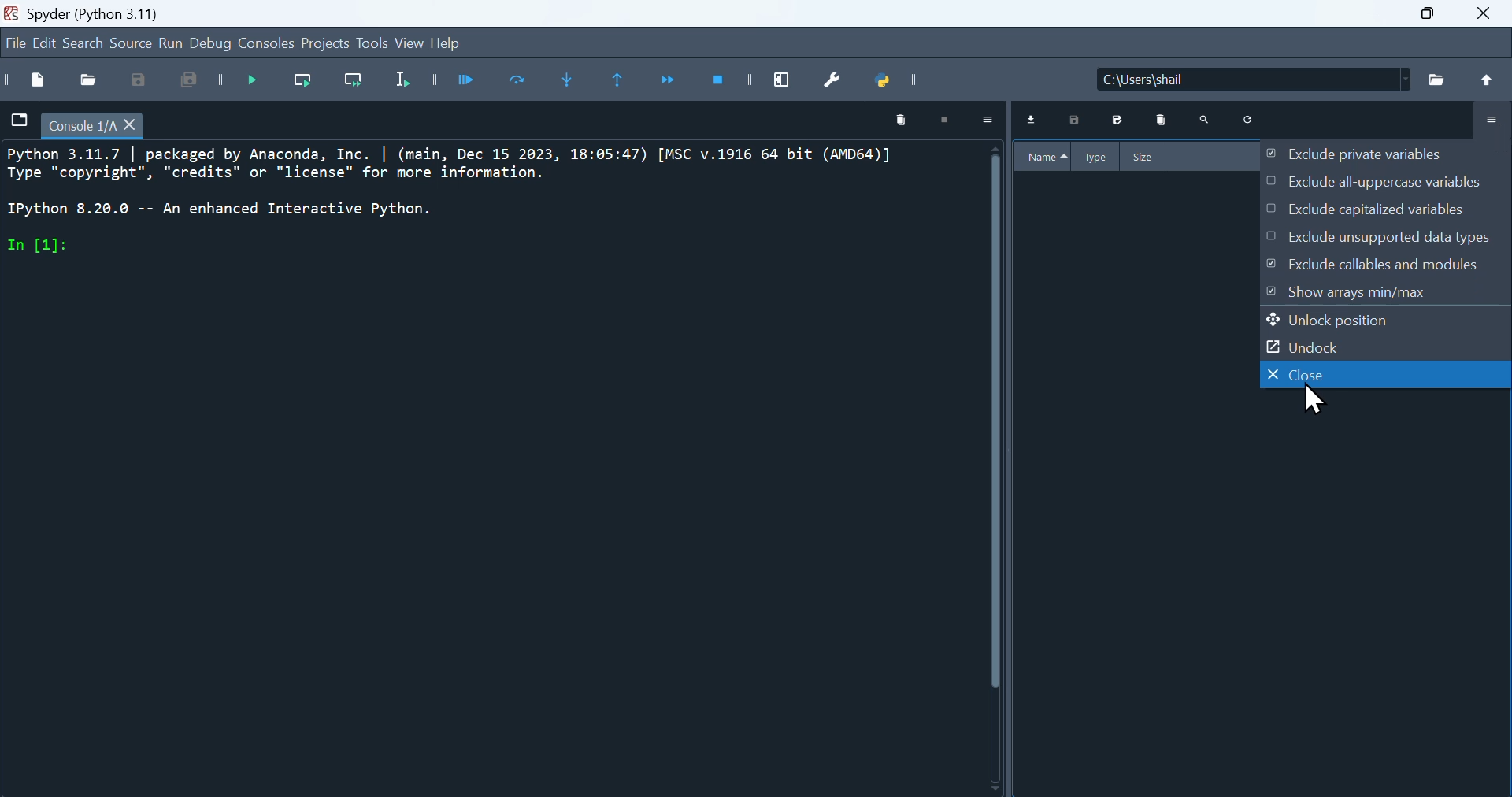 This screenshot has width=1512, height=797. What do you see at coordinates (259, 83) in the screenshot?
I see `Debug file` at bounding box center [259, 83].